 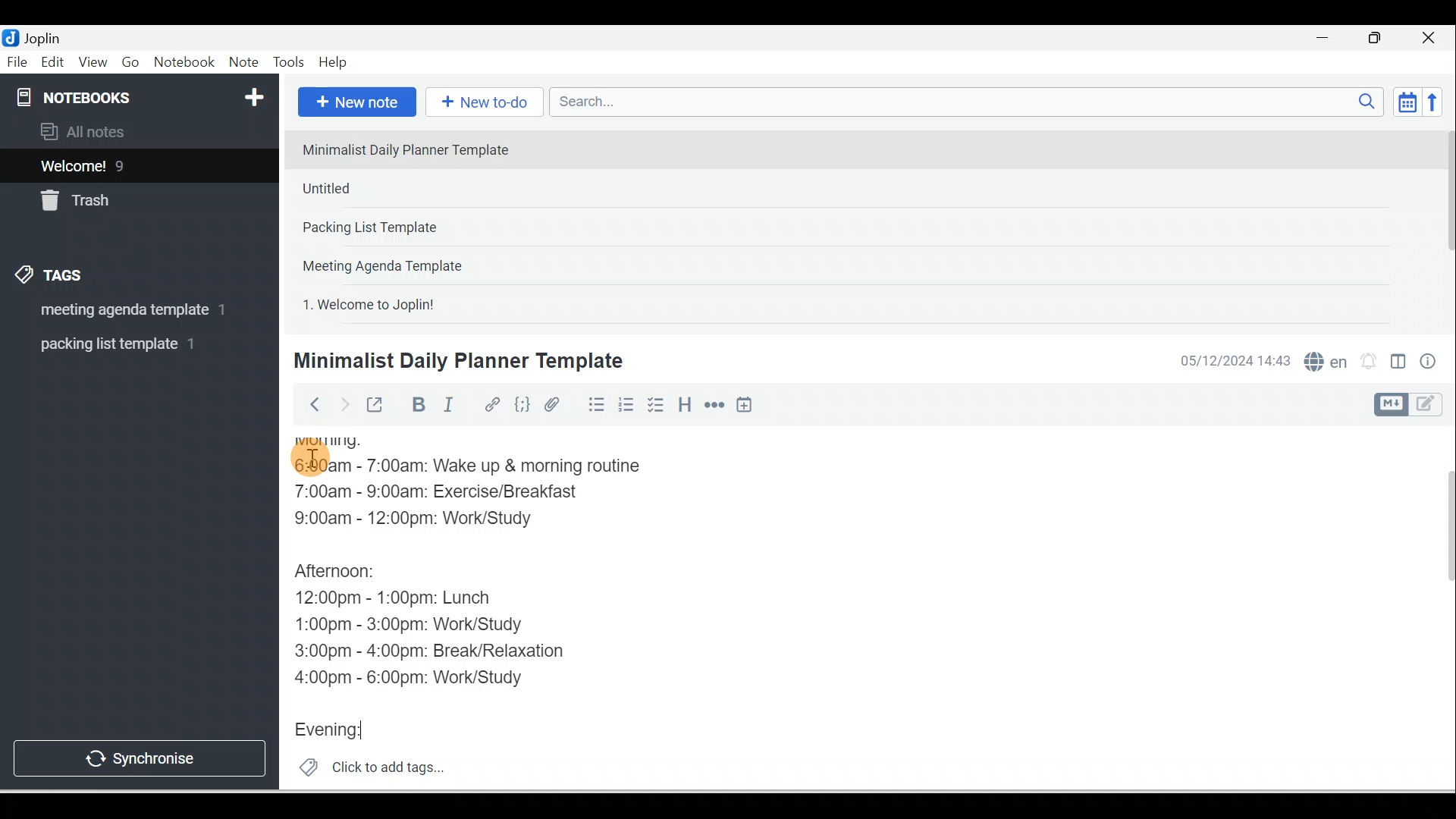 I want to click on Afternoon:, so click(x=349, y=573).